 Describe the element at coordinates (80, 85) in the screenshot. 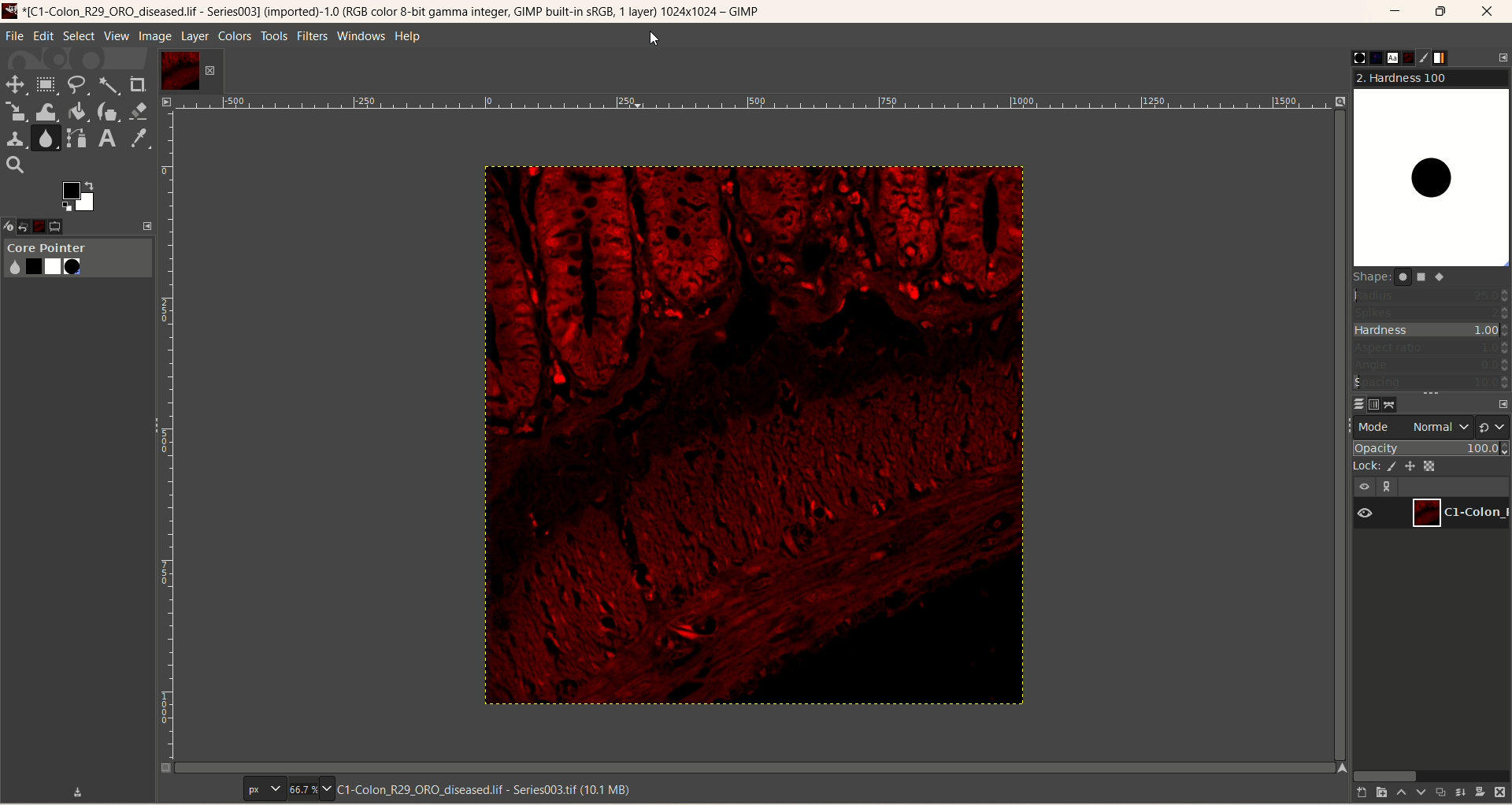

I see `free select tool` at that location.